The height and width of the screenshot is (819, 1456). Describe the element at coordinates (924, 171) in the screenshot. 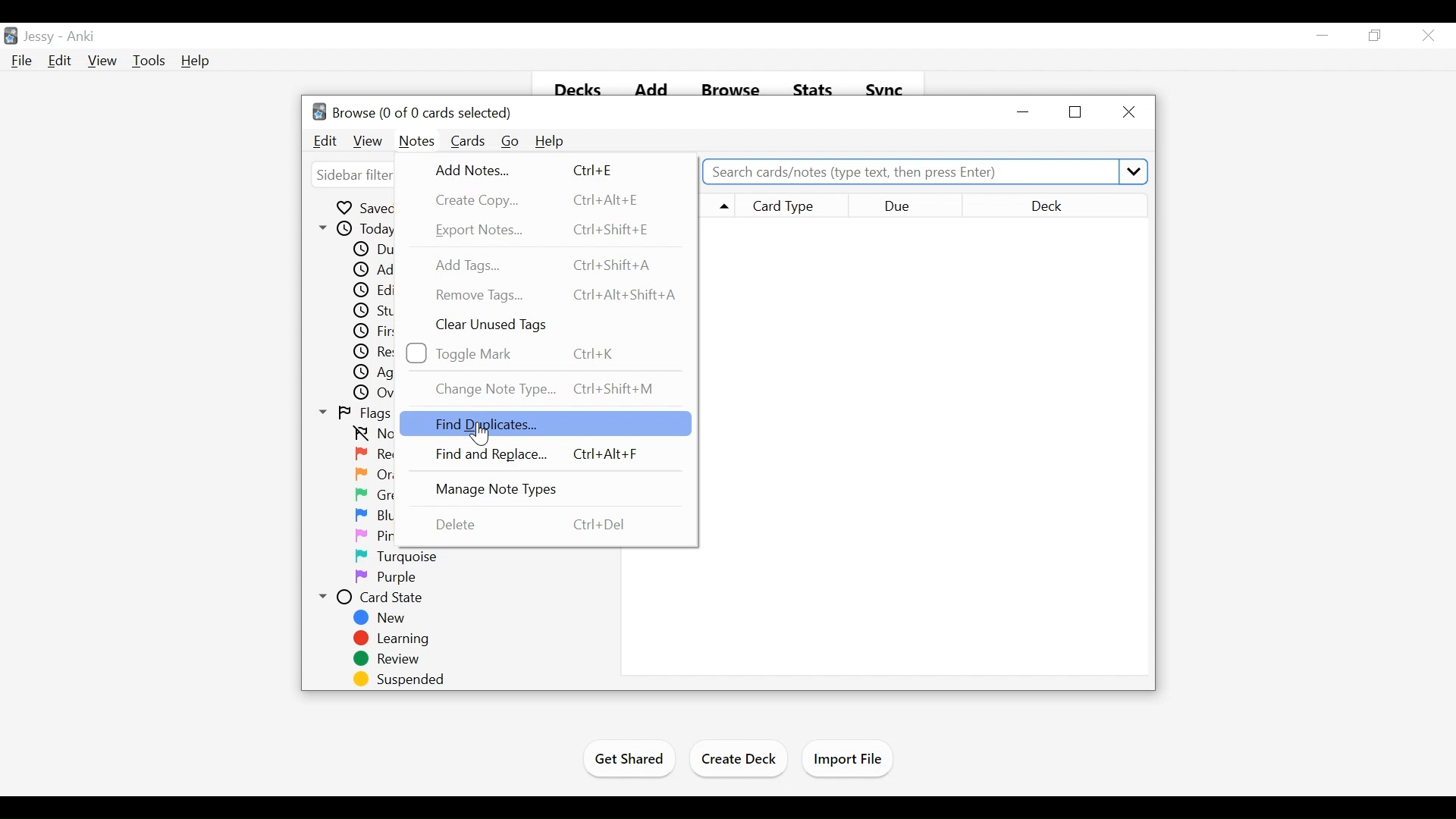

I see `Search cards/notes (type text, then press Enter)` at that location.